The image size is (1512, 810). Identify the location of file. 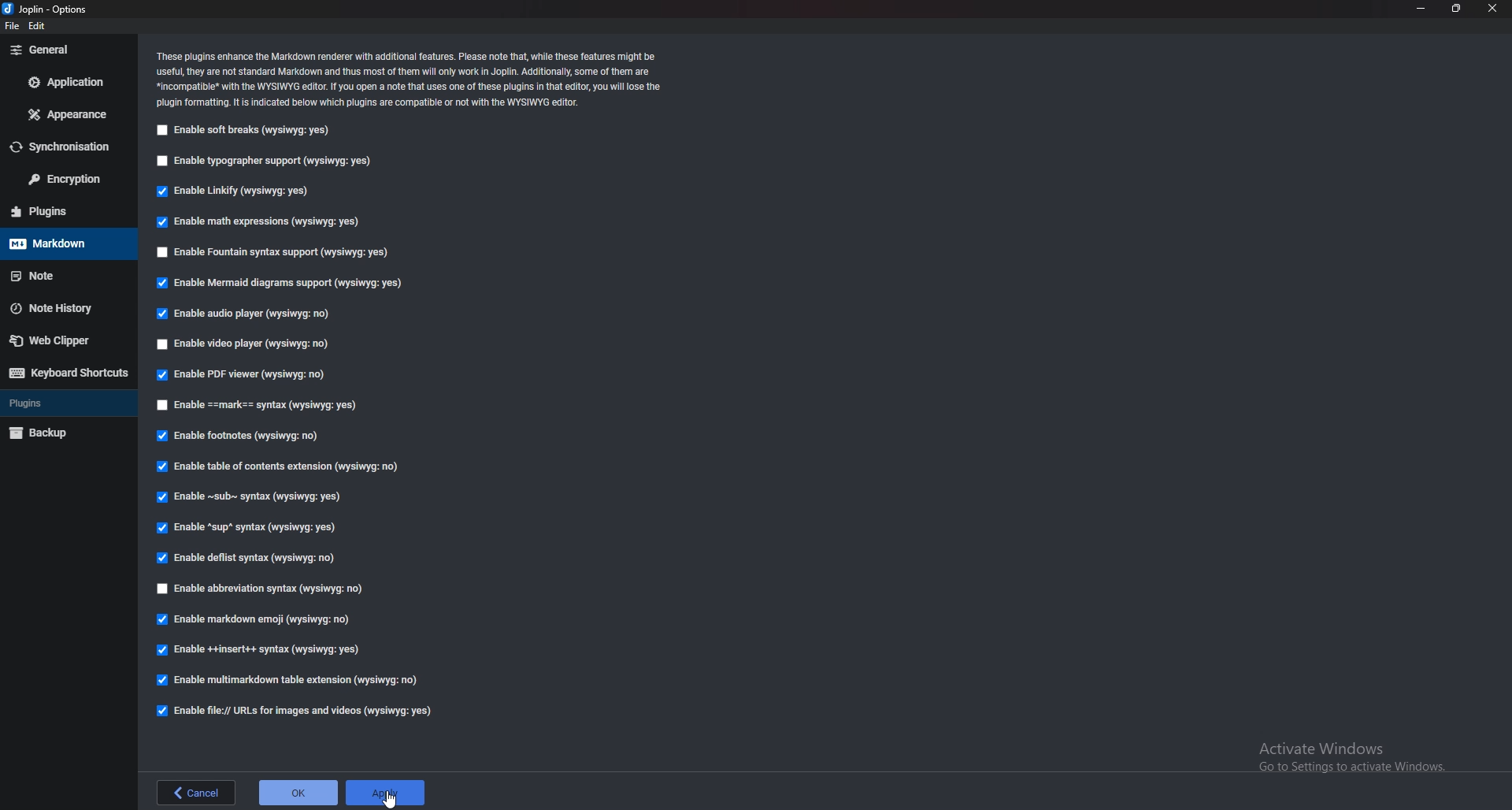
(14, 25).